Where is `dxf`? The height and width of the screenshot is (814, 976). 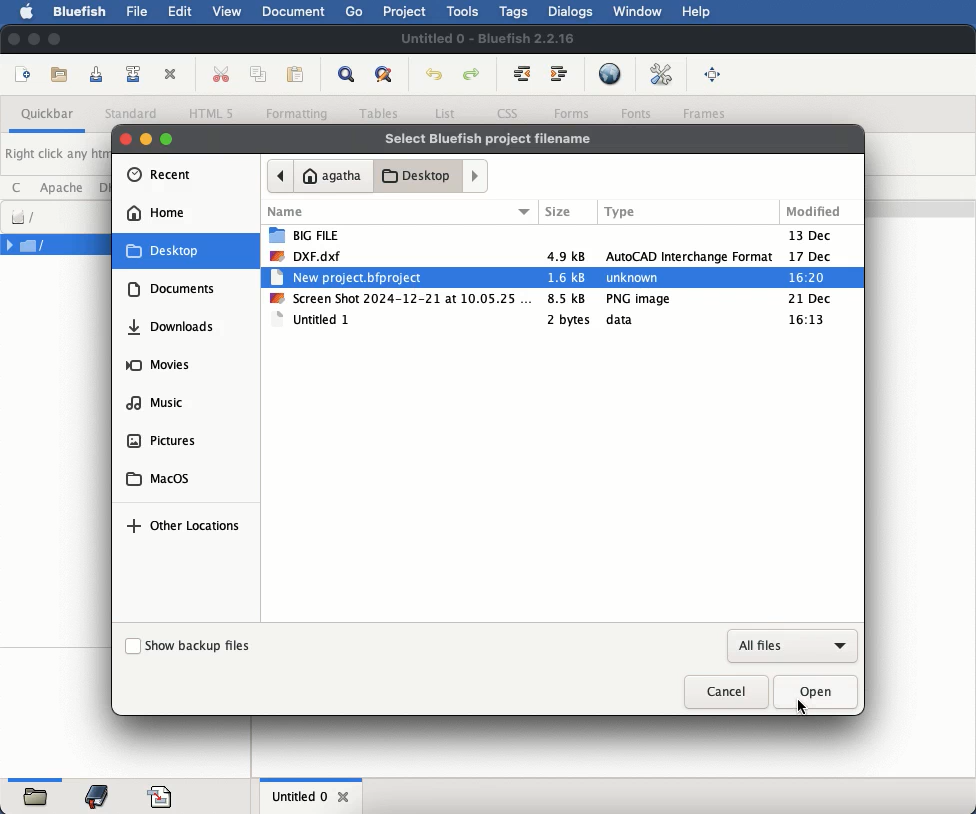 dxf is located at coordinates (309, 255).